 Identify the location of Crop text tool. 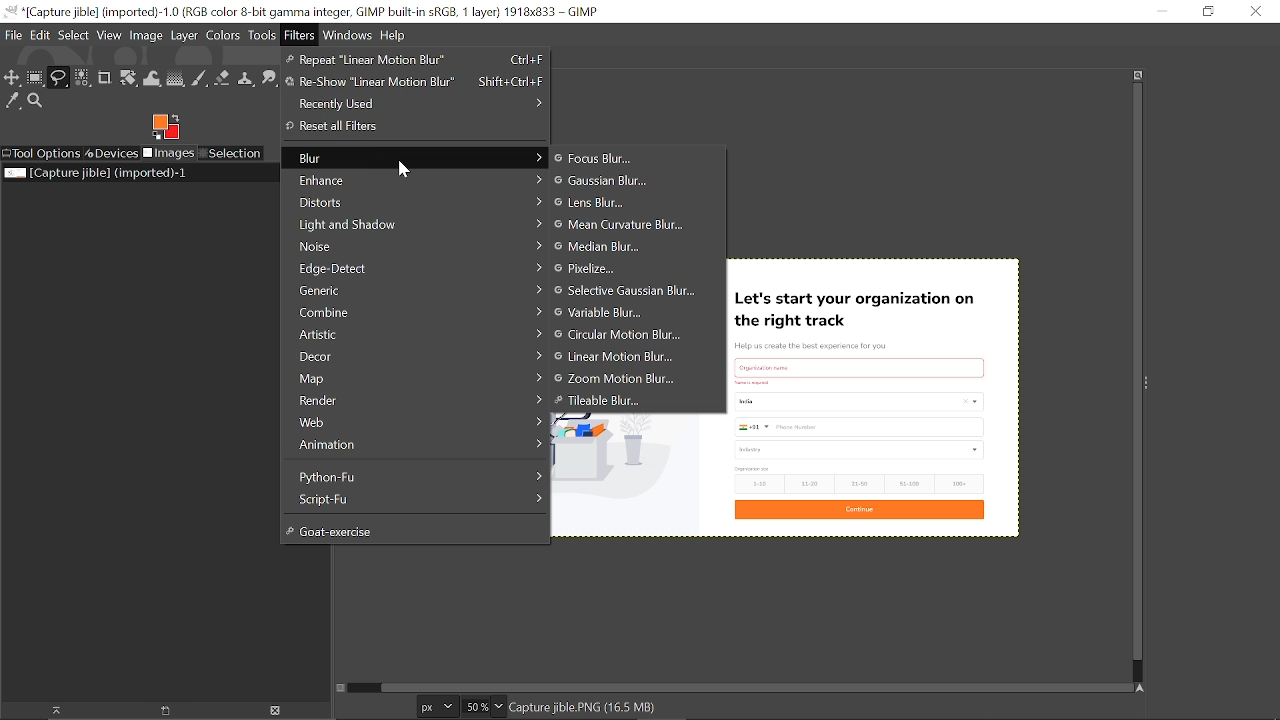
(105, 79).